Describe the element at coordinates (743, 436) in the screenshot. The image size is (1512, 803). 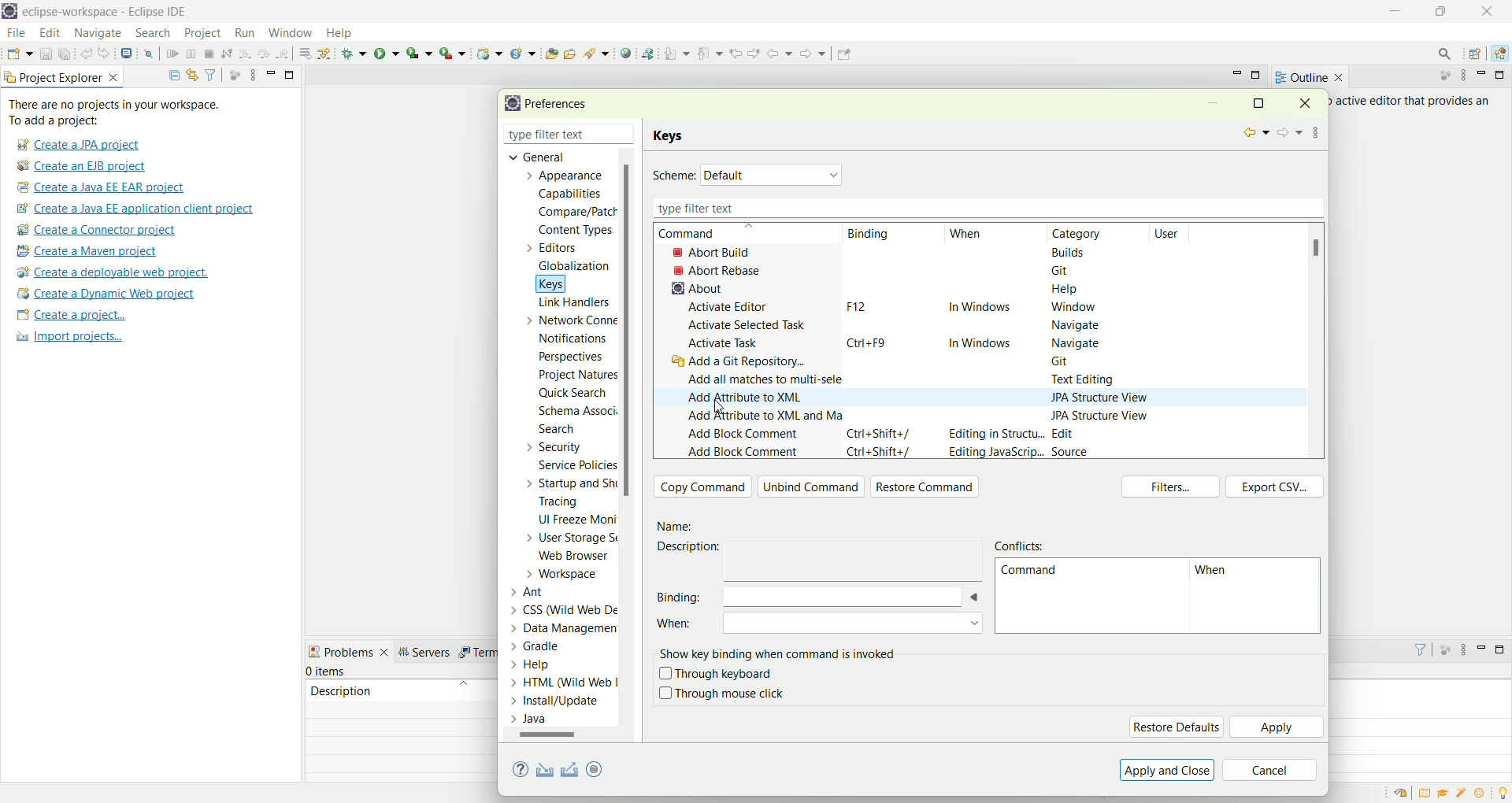
I see `add block comment` at that location.